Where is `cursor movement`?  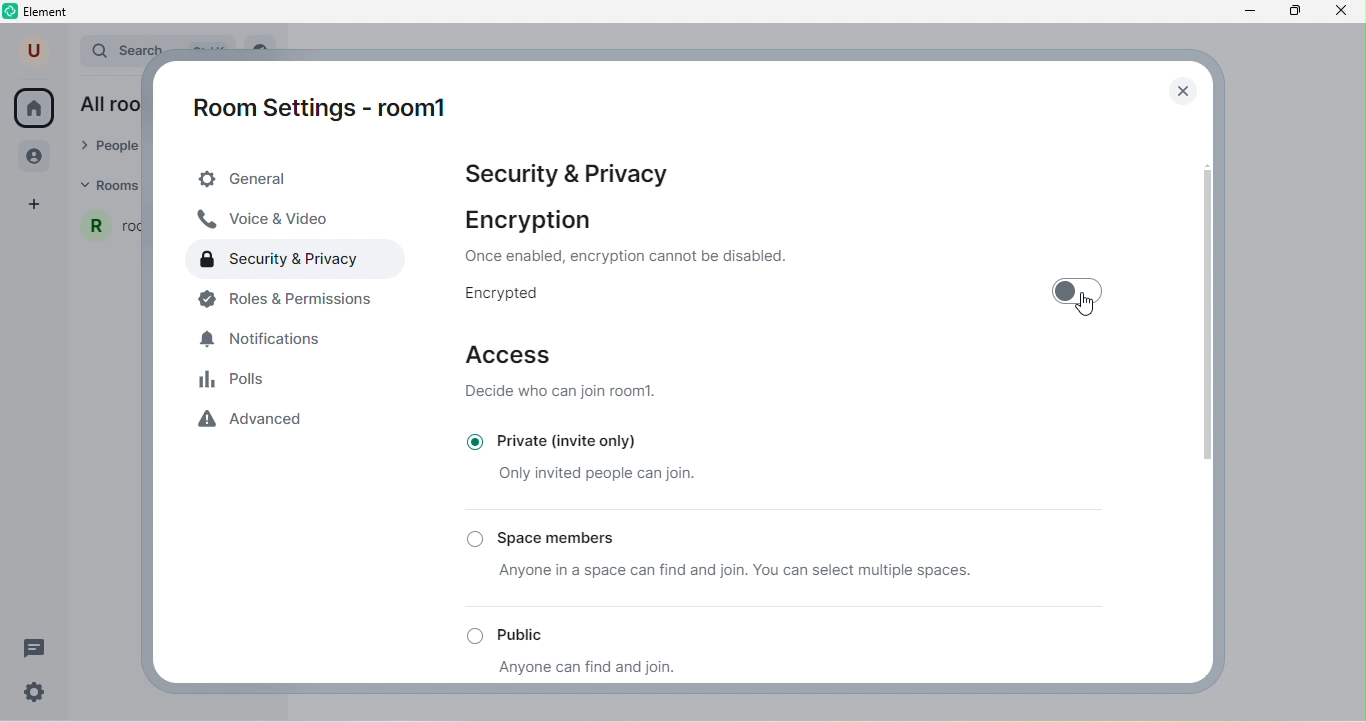
cursor movement is located at coordinates (1083, 305).